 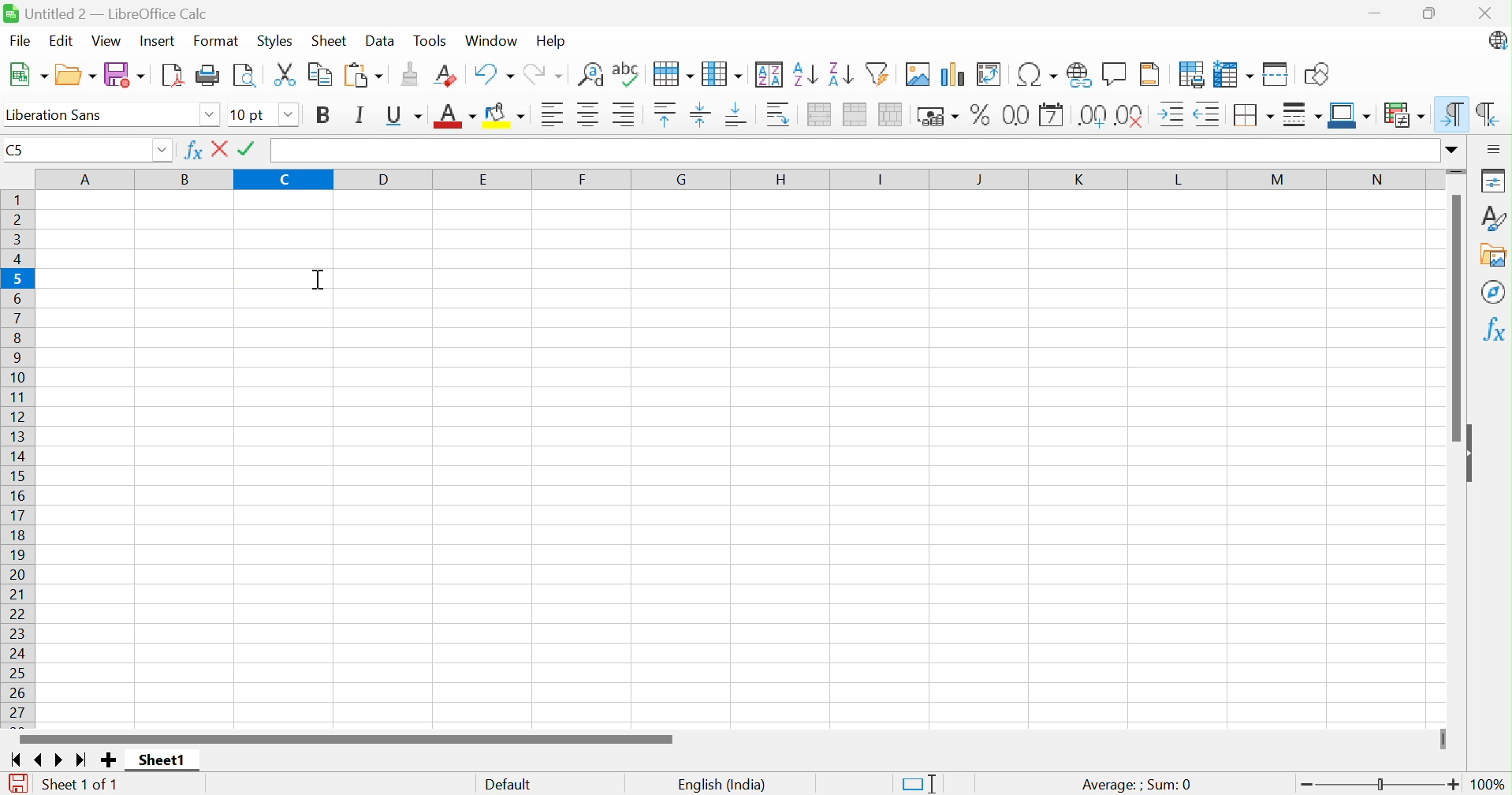 I want to click on Insert special characters, so click(x=1035, y=75).